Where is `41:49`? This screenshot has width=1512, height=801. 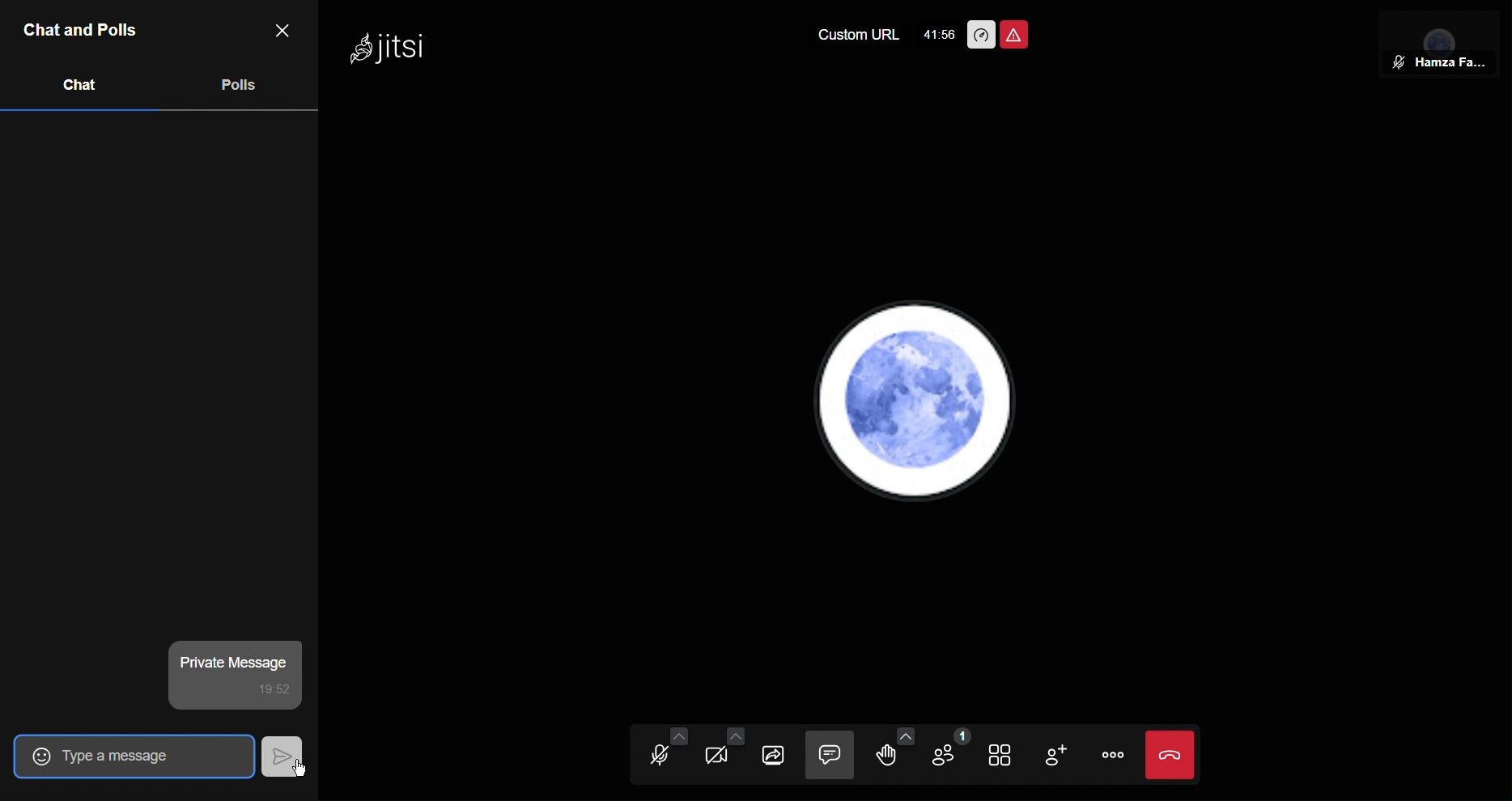 41:49 is located at coordinates (936, 35).